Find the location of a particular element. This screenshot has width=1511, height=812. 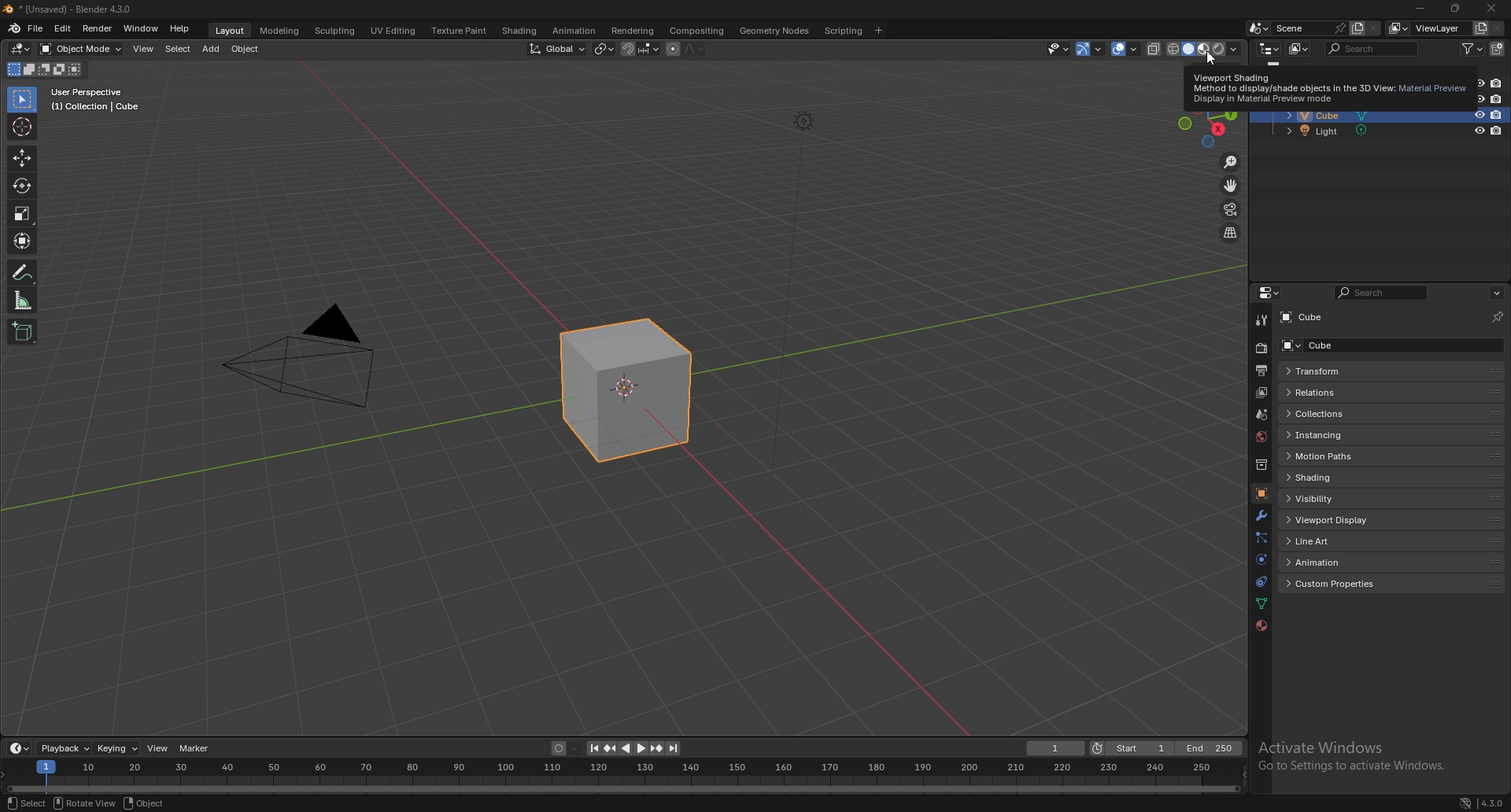

selector is located at coordinates (22, 101).